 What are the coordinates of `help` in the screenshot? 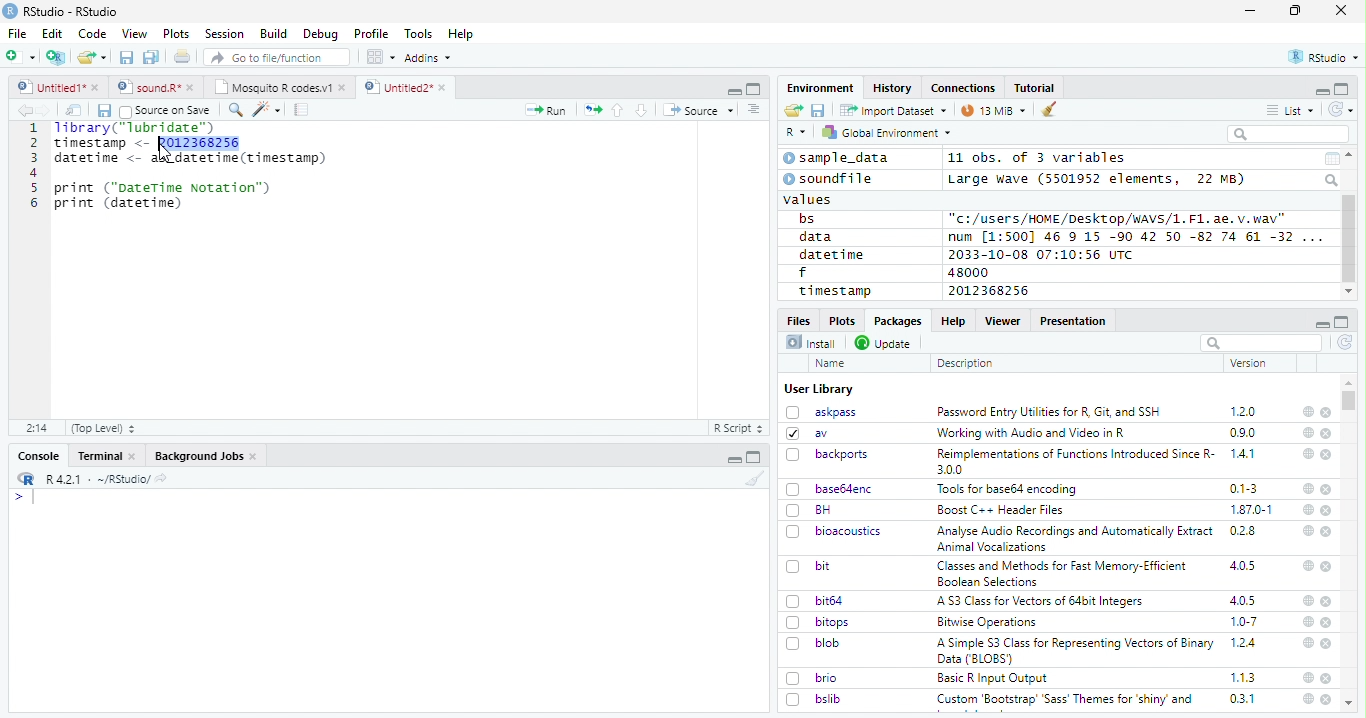 It's located at (1308, 677).